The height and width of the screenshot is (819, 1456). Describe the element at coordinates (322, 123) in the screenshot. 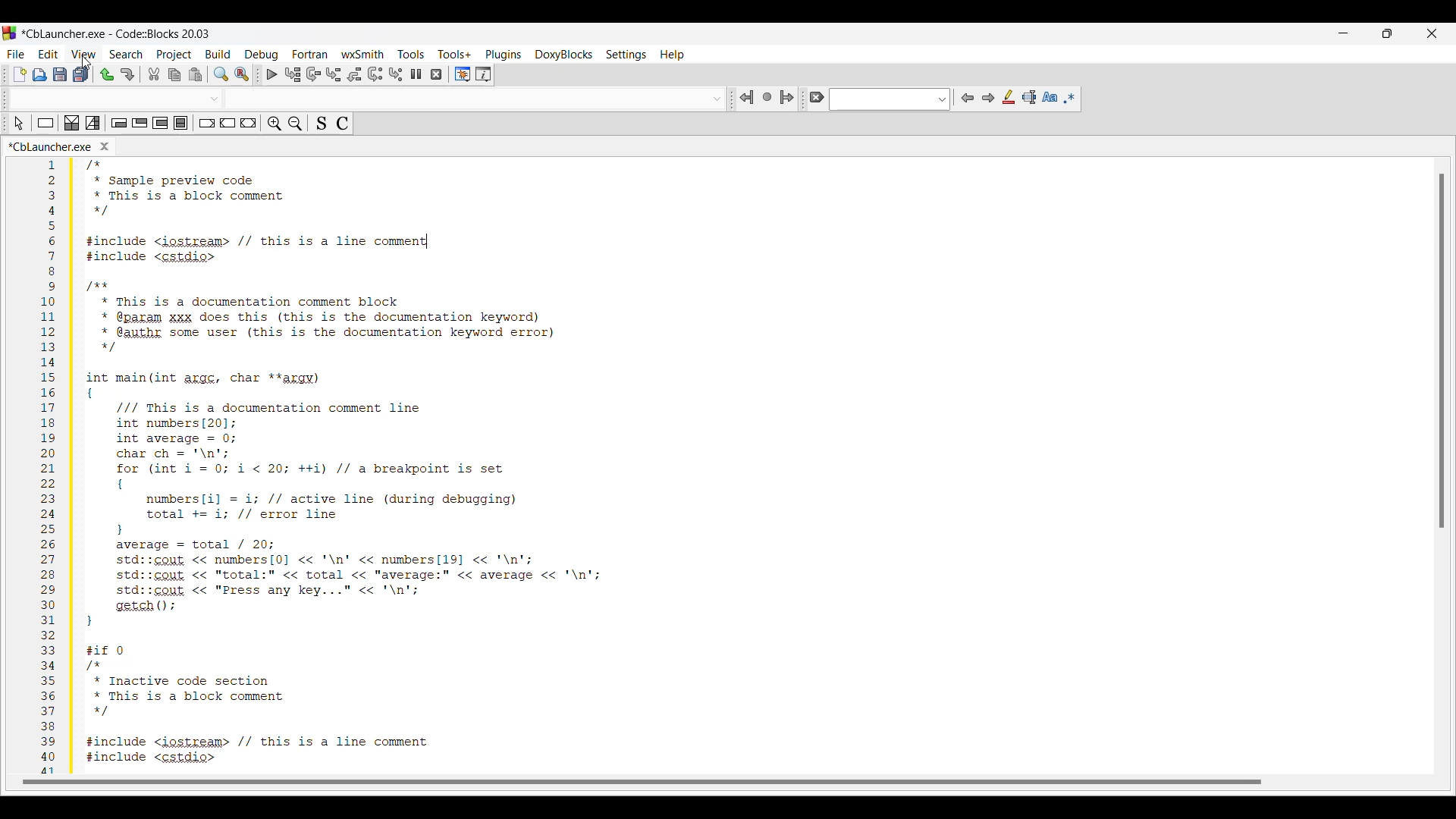

I see `Toggle source ` at that location.